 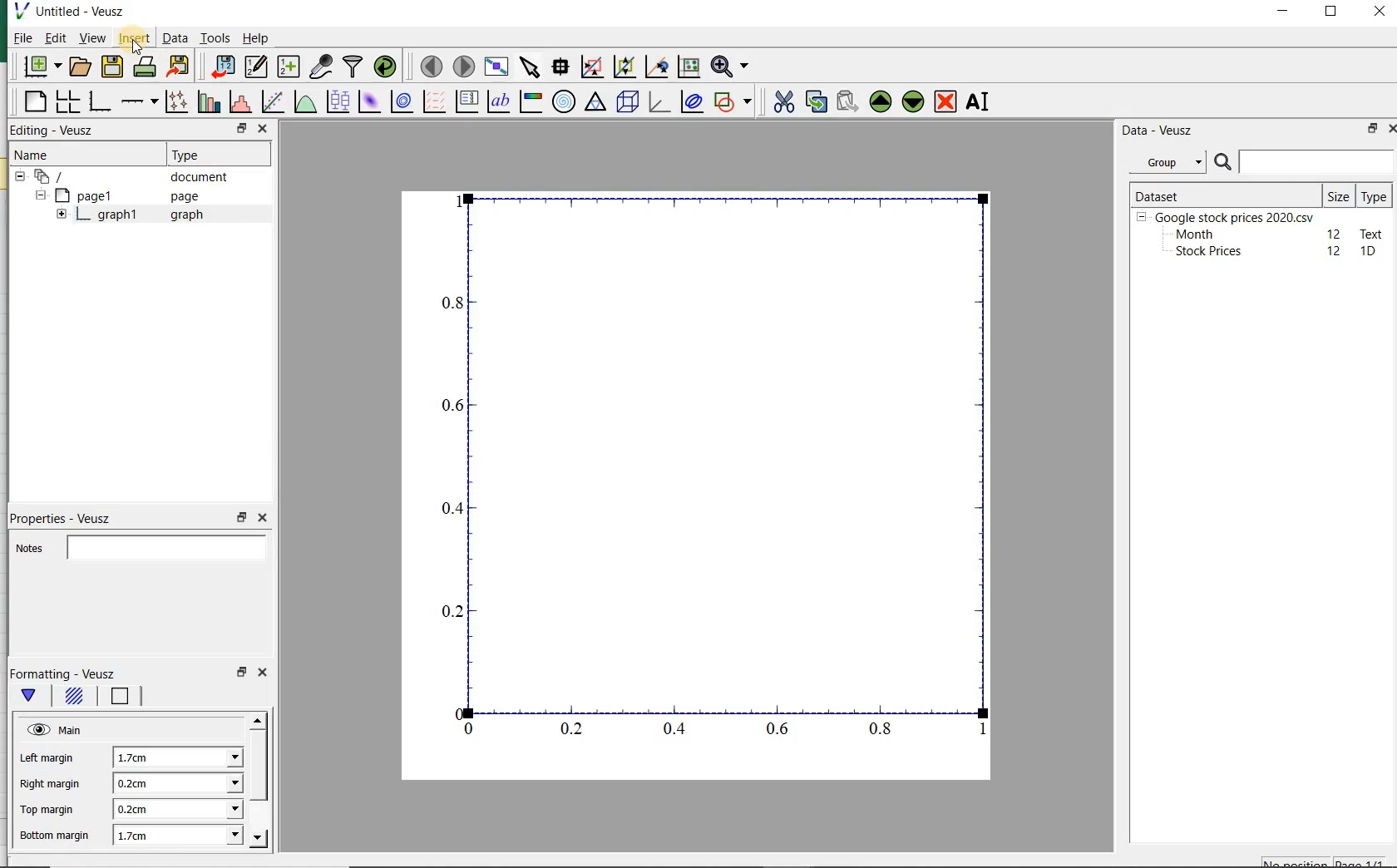 I want to click on close, so click(x=261, y=519).